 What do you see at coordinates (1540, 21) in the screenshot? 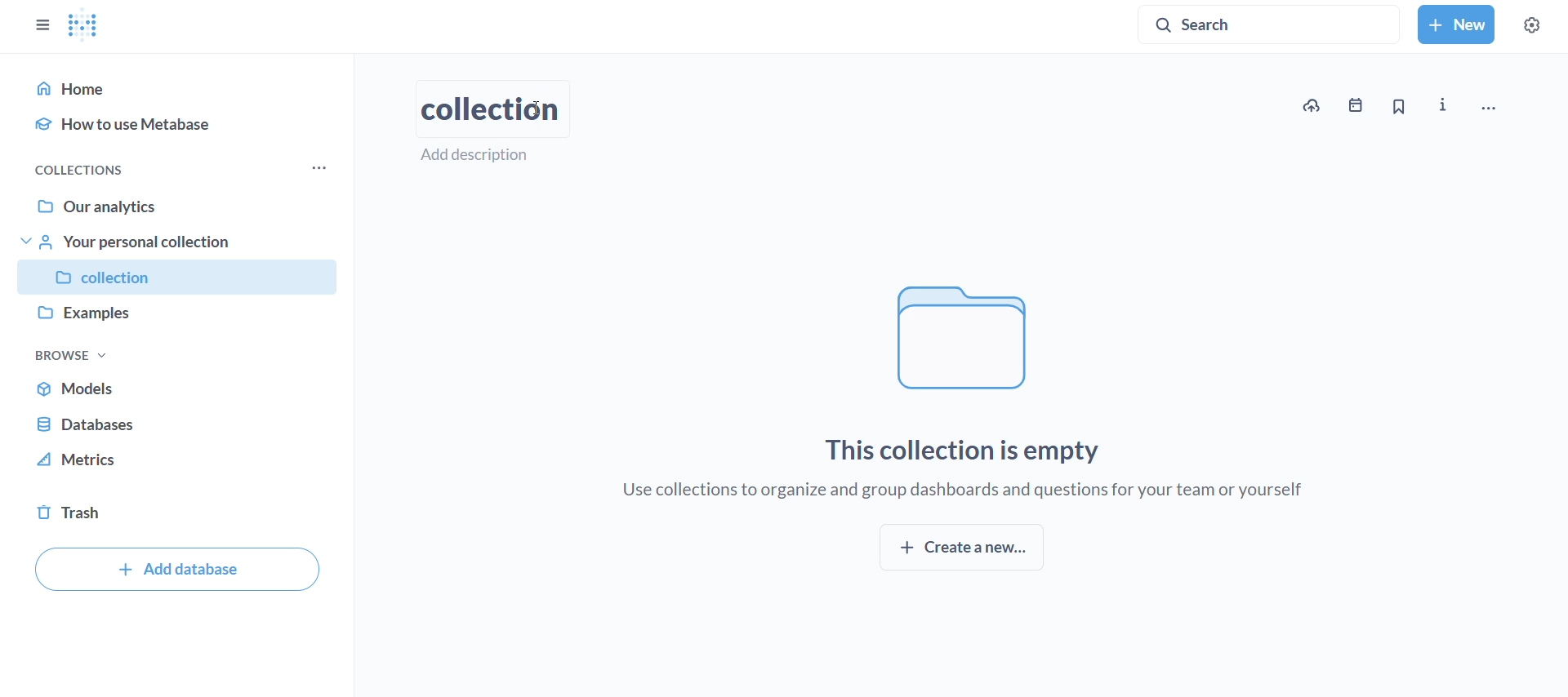
I see `settings` at bounding box center [1540, 21].